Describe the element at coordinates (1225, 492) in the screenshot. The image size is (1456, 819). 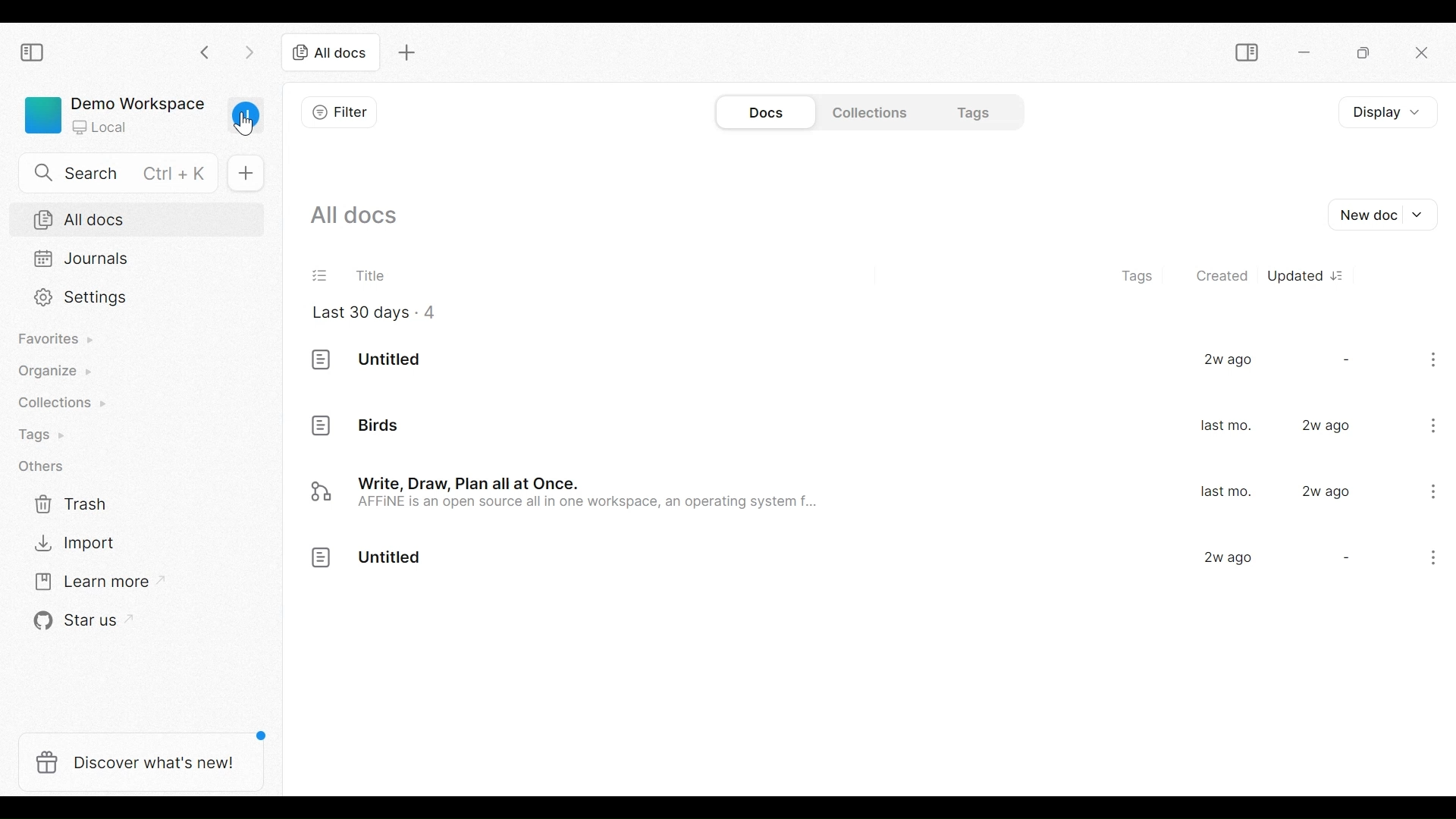
I see `last mo.` at that location.